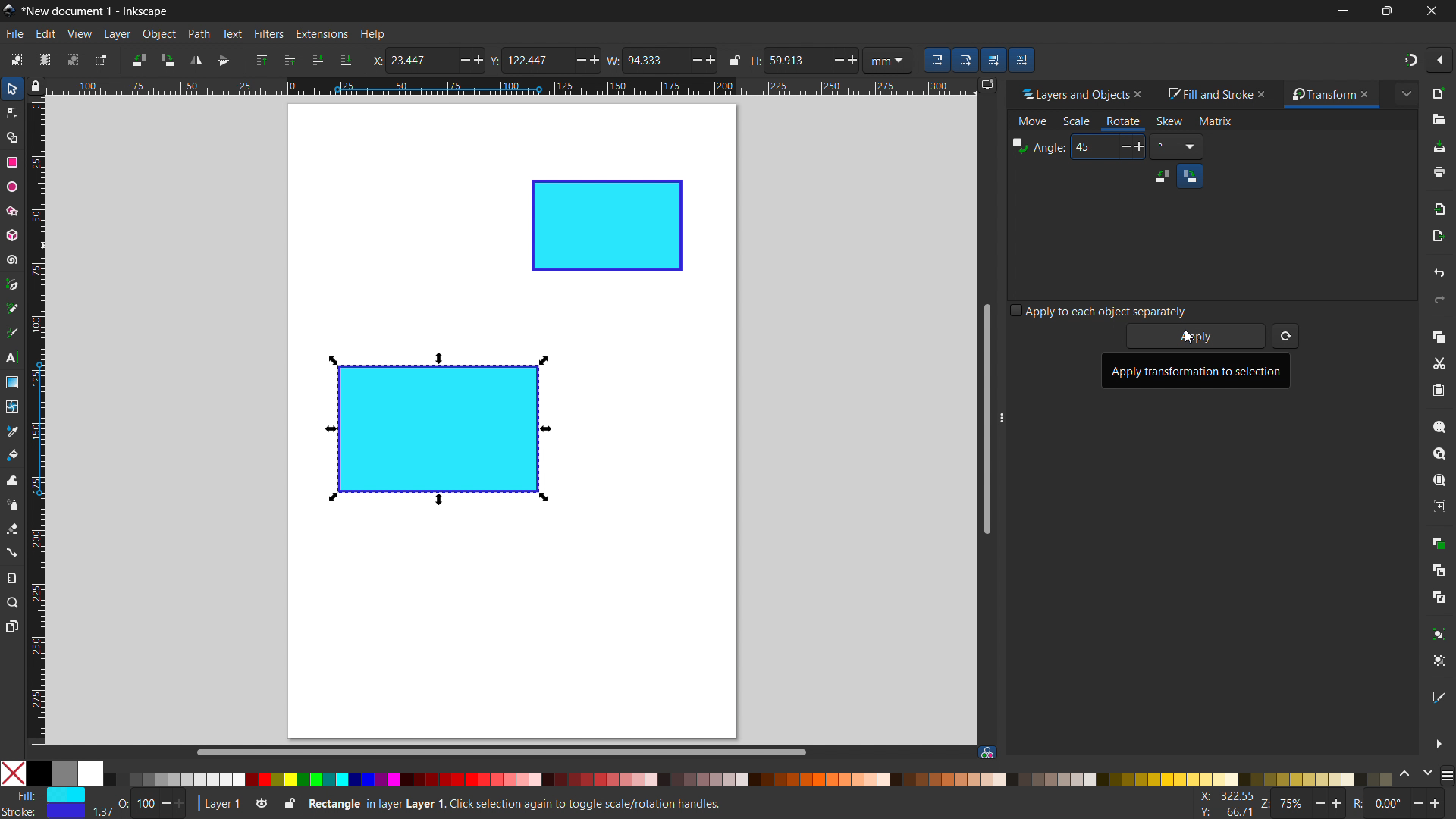  I want to click on undo, so click(1439, 272).